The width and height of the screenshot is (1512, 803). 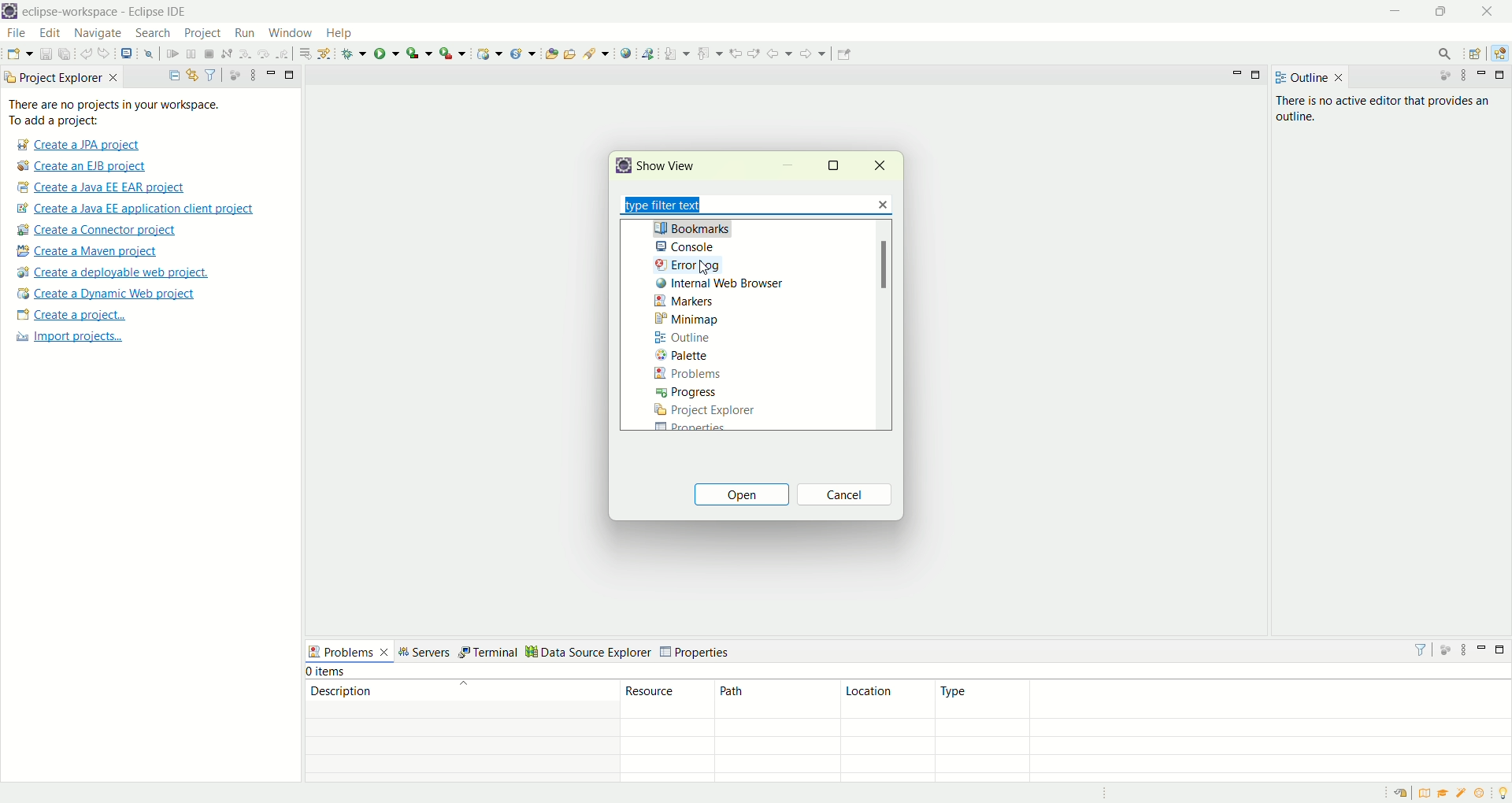 I want to click on outline, so click(x=686, y=340).